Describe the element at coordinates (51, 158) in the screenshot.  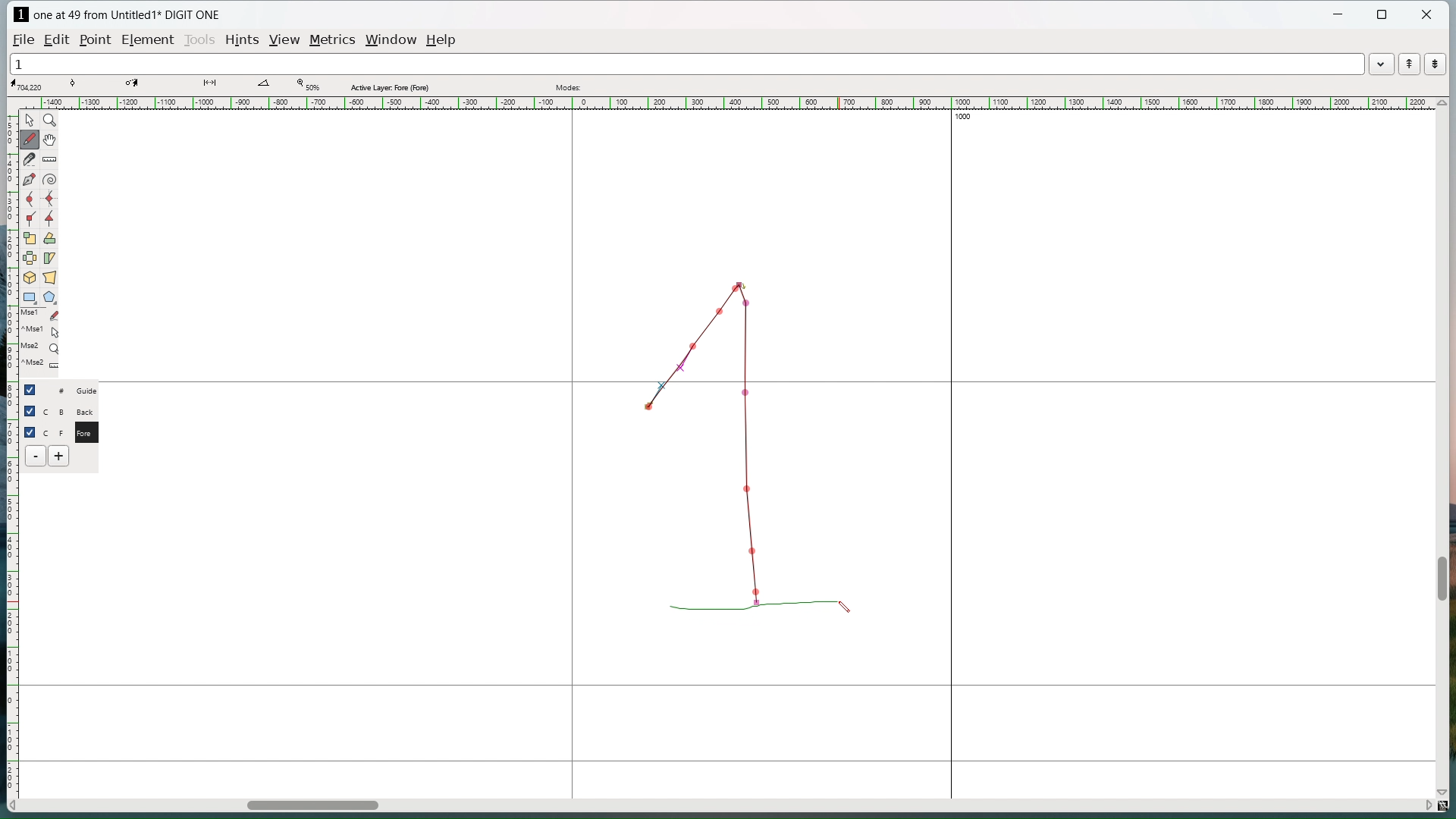
I see `measure distance or angle` at that location.